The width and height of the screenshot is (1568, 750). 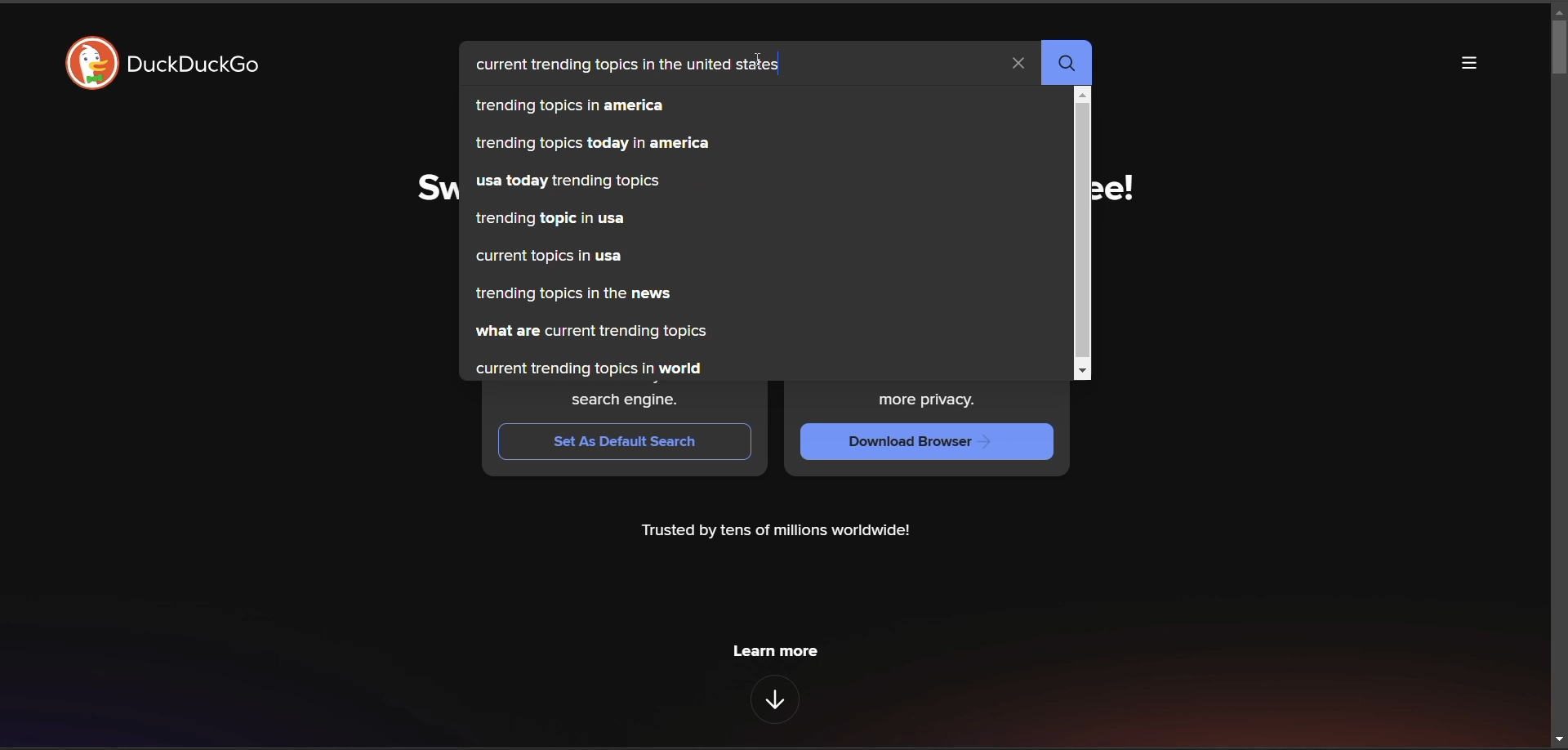 What do you see at coordinates (929, 401) in the screenshot?
I see `more privacy.` at bounding box center [929, 401].